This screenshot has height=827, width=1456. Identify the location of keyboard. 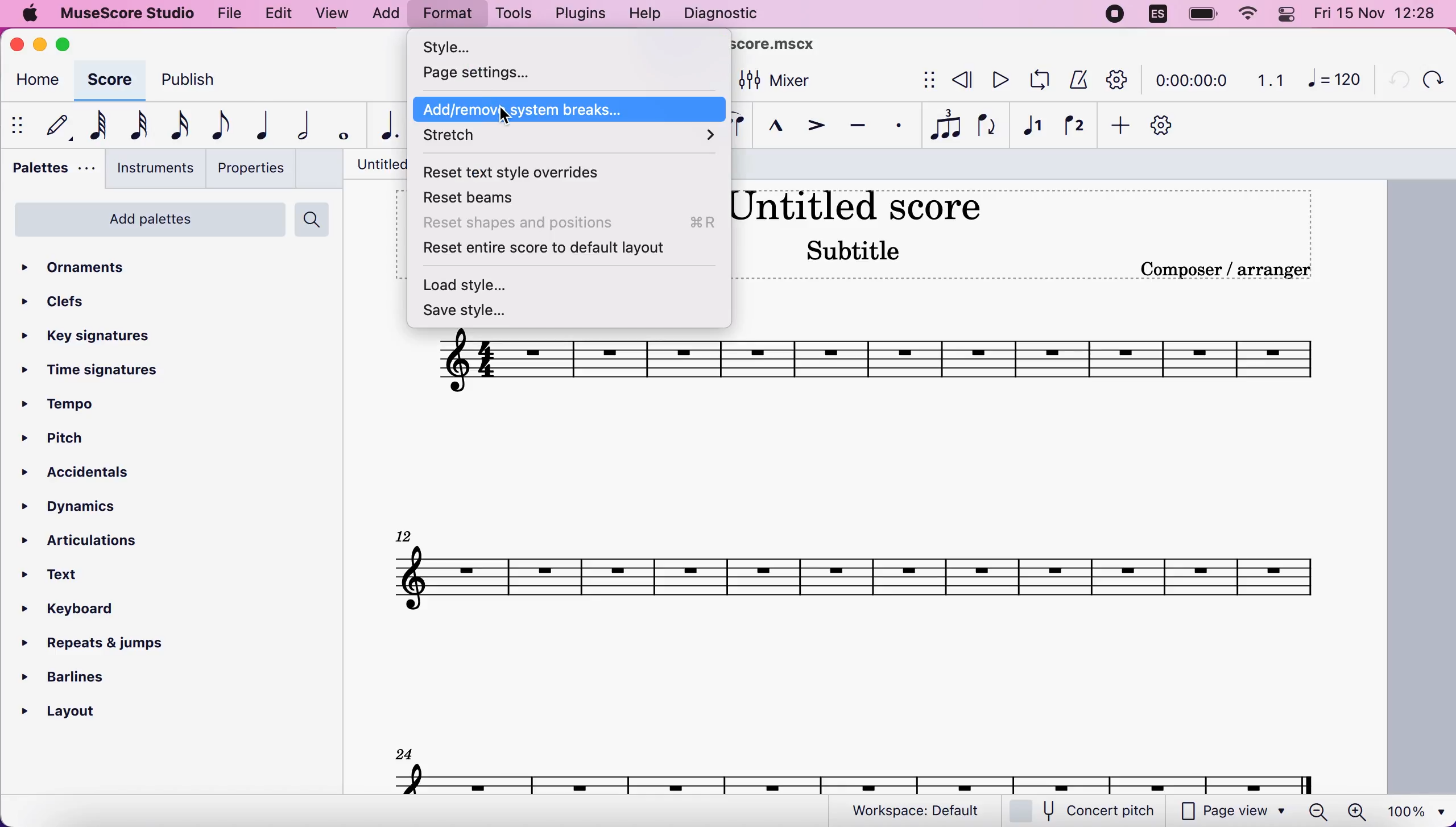
(82, 611).